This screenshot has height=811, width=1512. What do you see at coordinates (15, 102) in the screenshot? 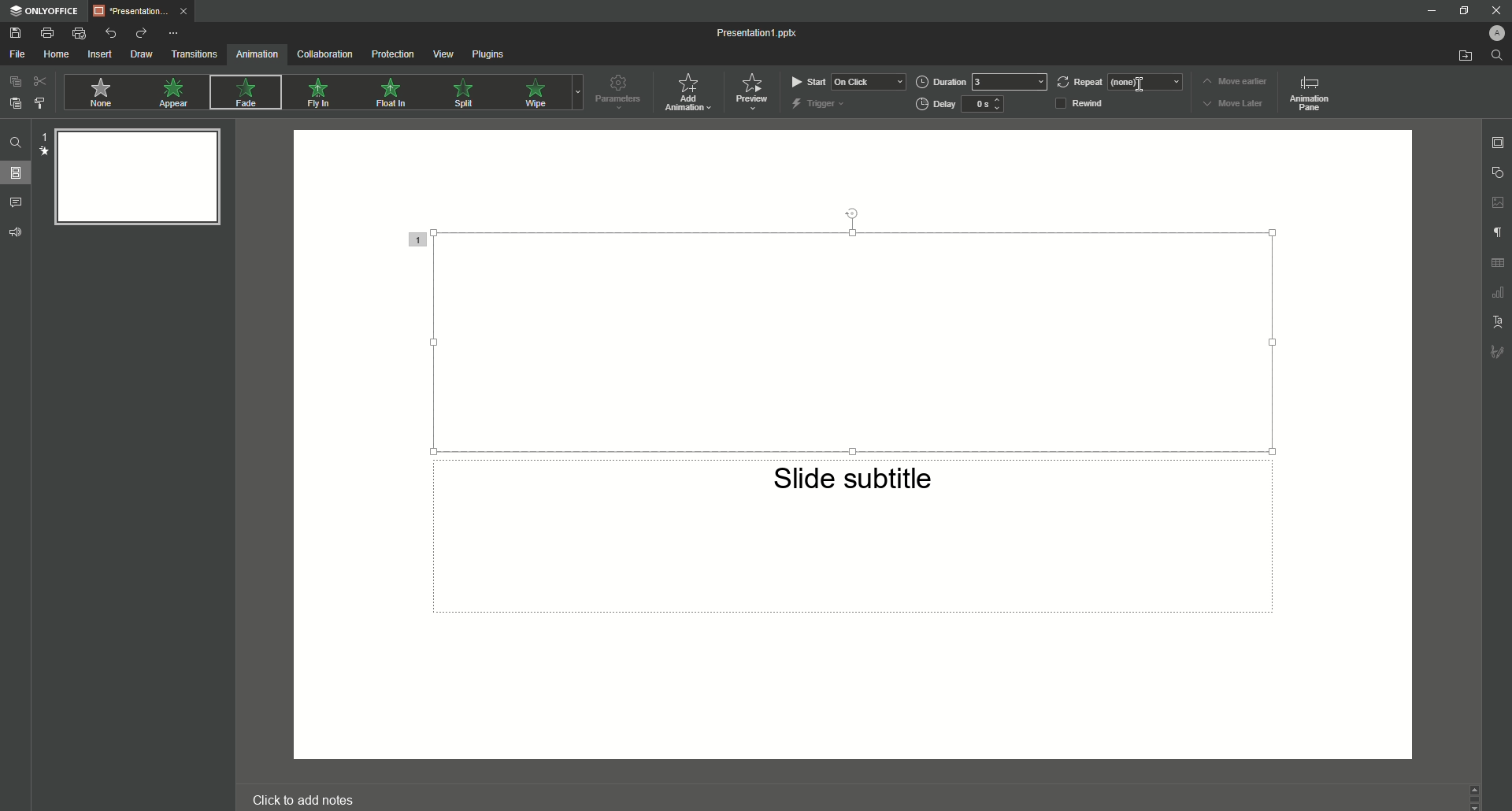
I see `Paste` at bounding box center [15, 102].